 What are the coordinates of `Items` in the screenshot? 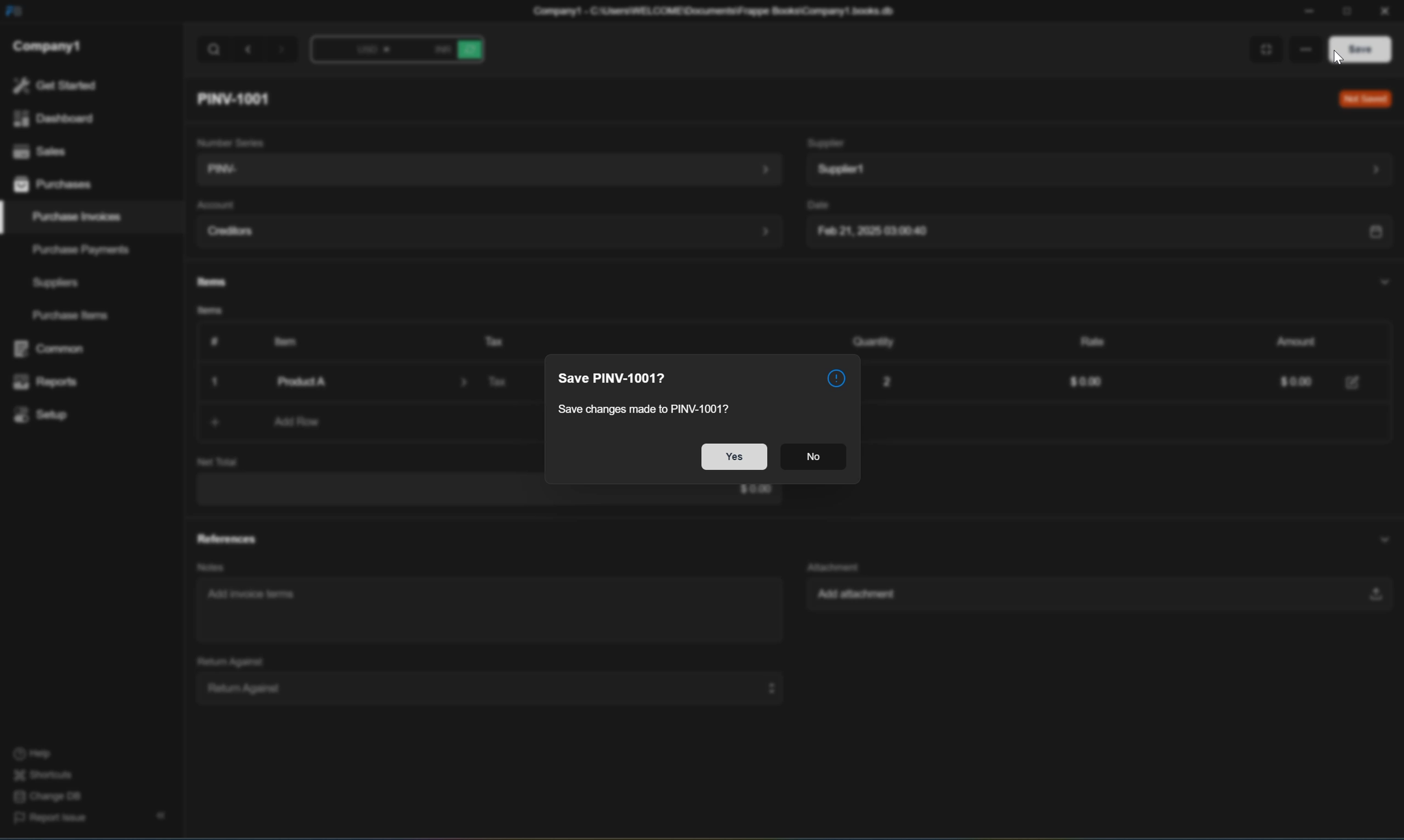 It's located at (205, 312).